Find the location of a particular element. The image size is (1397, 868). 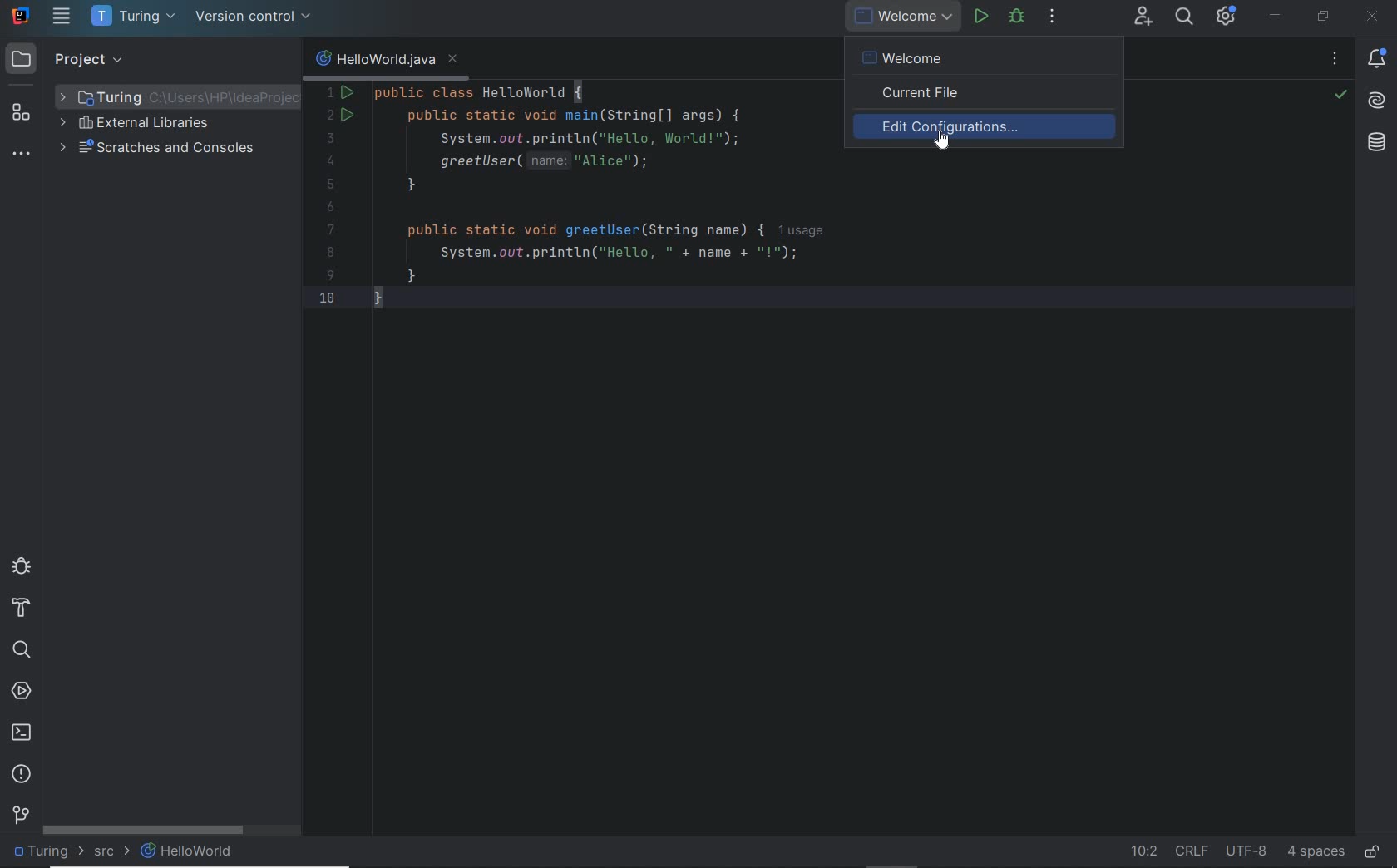

search is located at coordinates (21, 650).